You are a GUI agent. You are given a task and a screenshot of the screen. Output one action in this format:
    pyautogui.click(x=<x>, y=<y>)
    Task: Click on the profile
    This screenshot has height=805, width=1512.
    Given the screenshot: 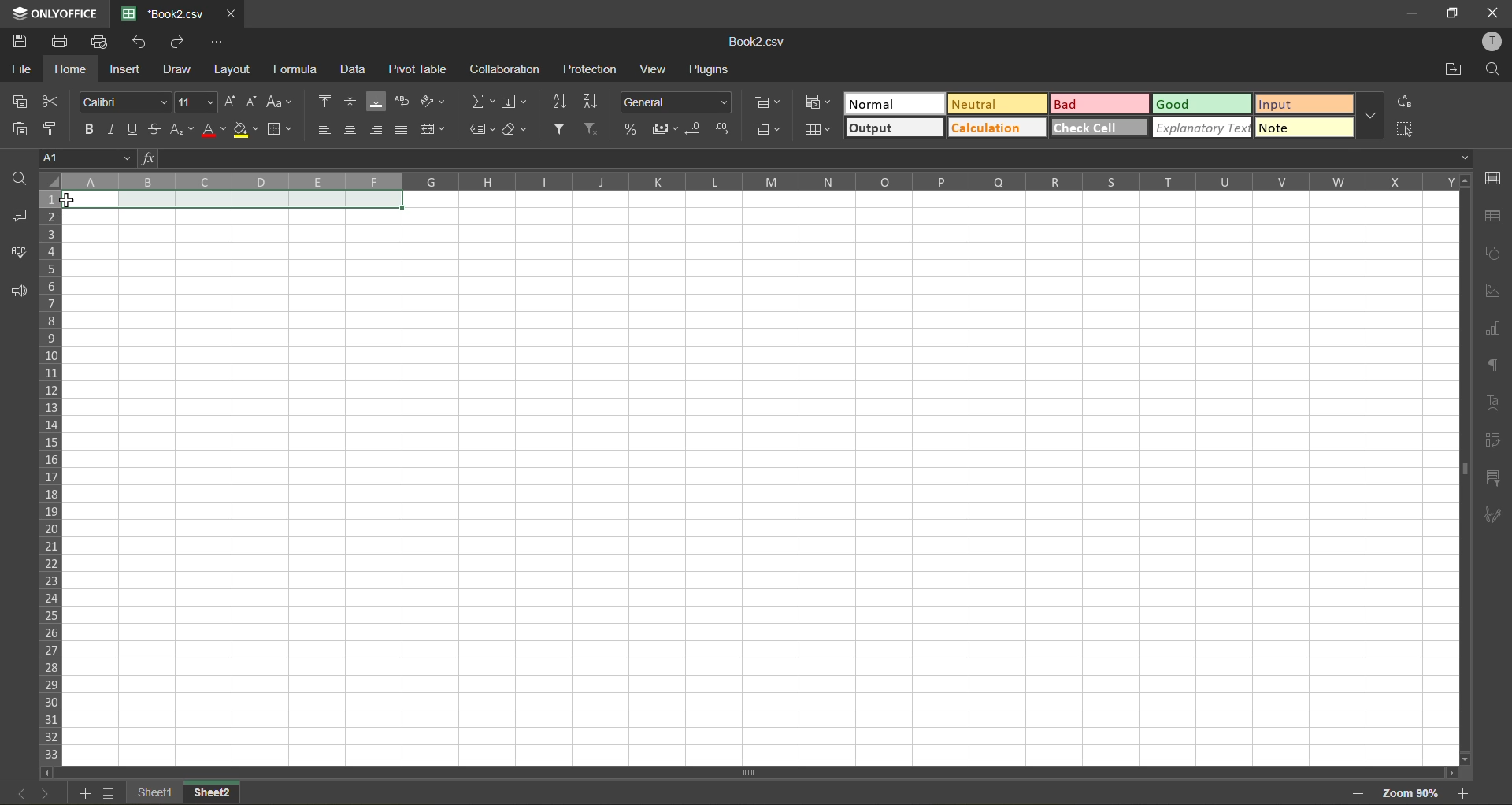 What is the action you would take?
    pyautogui.click(x=1493, y=43)
    